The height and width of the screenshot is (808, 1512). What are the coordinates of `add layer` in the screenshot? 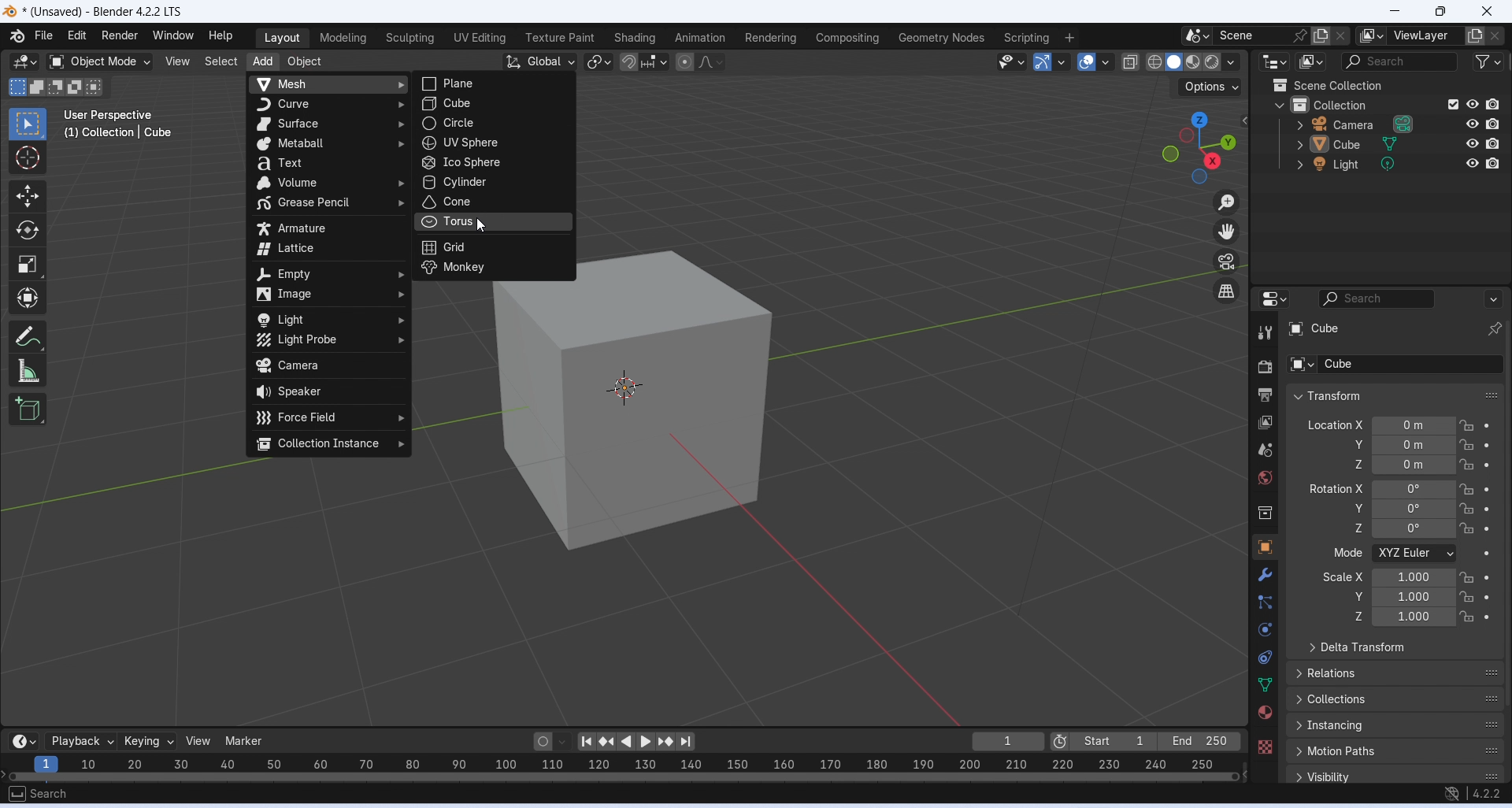 It's located at (1476, 38).